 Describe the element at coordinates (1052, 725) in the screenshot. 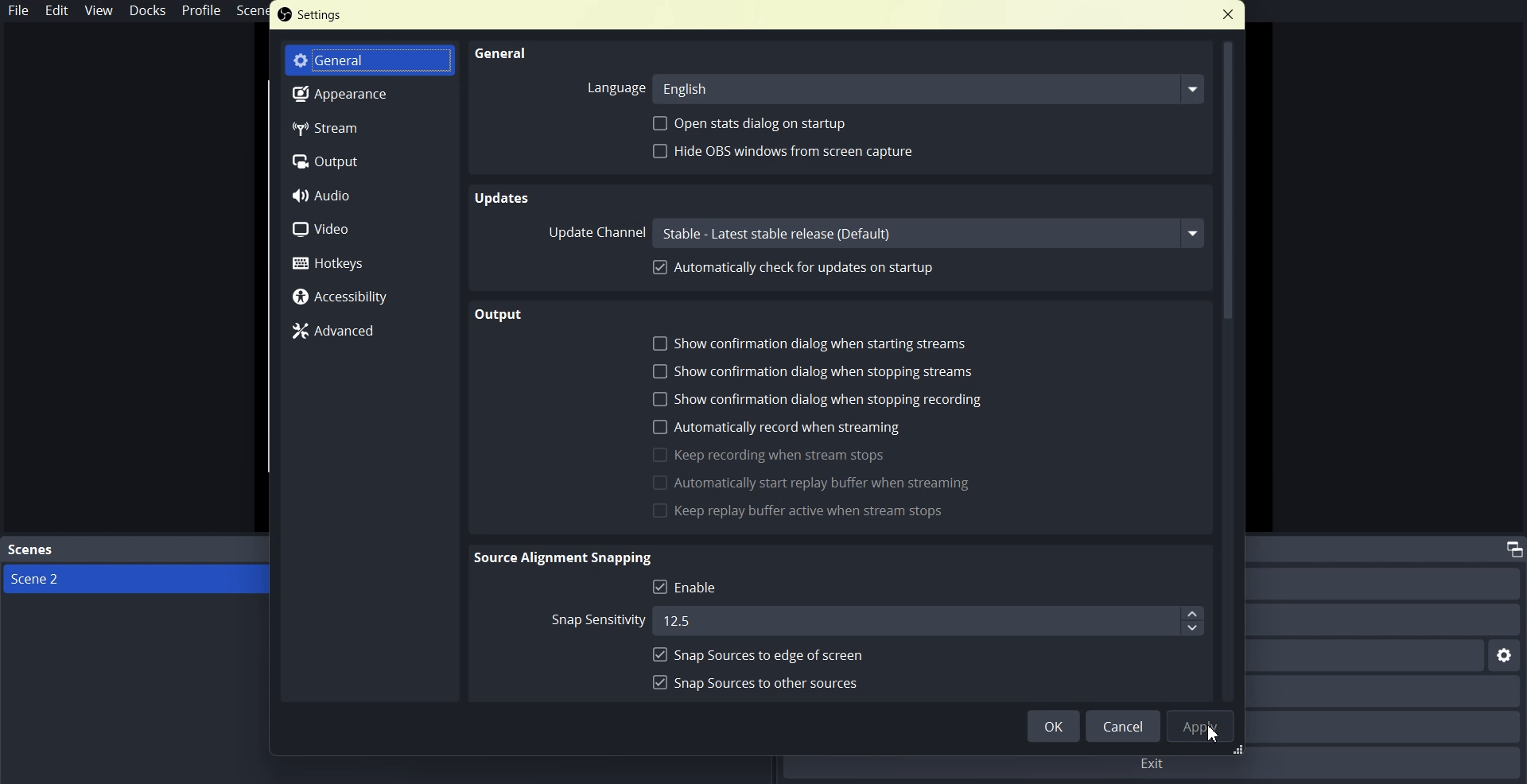

I see `OK` at that location.